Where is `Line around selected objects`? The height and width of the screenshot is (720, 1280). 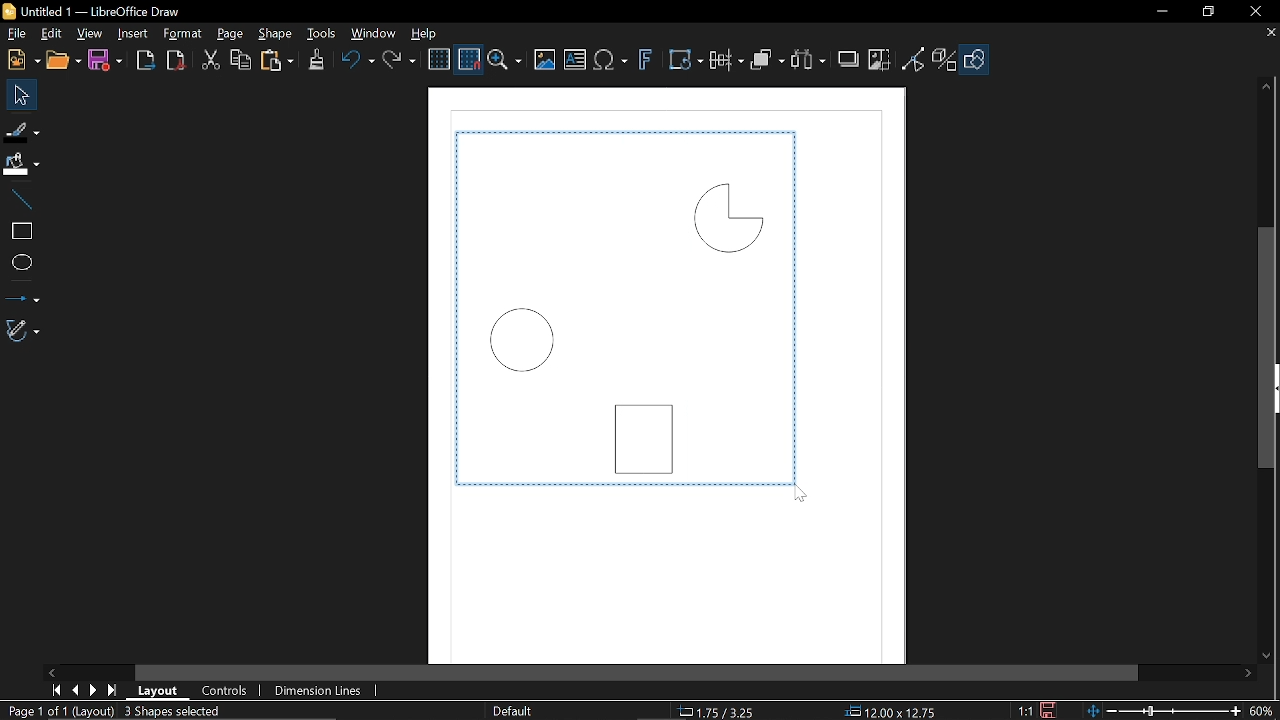
Line around selected objects is located at coordinates (453, 309).